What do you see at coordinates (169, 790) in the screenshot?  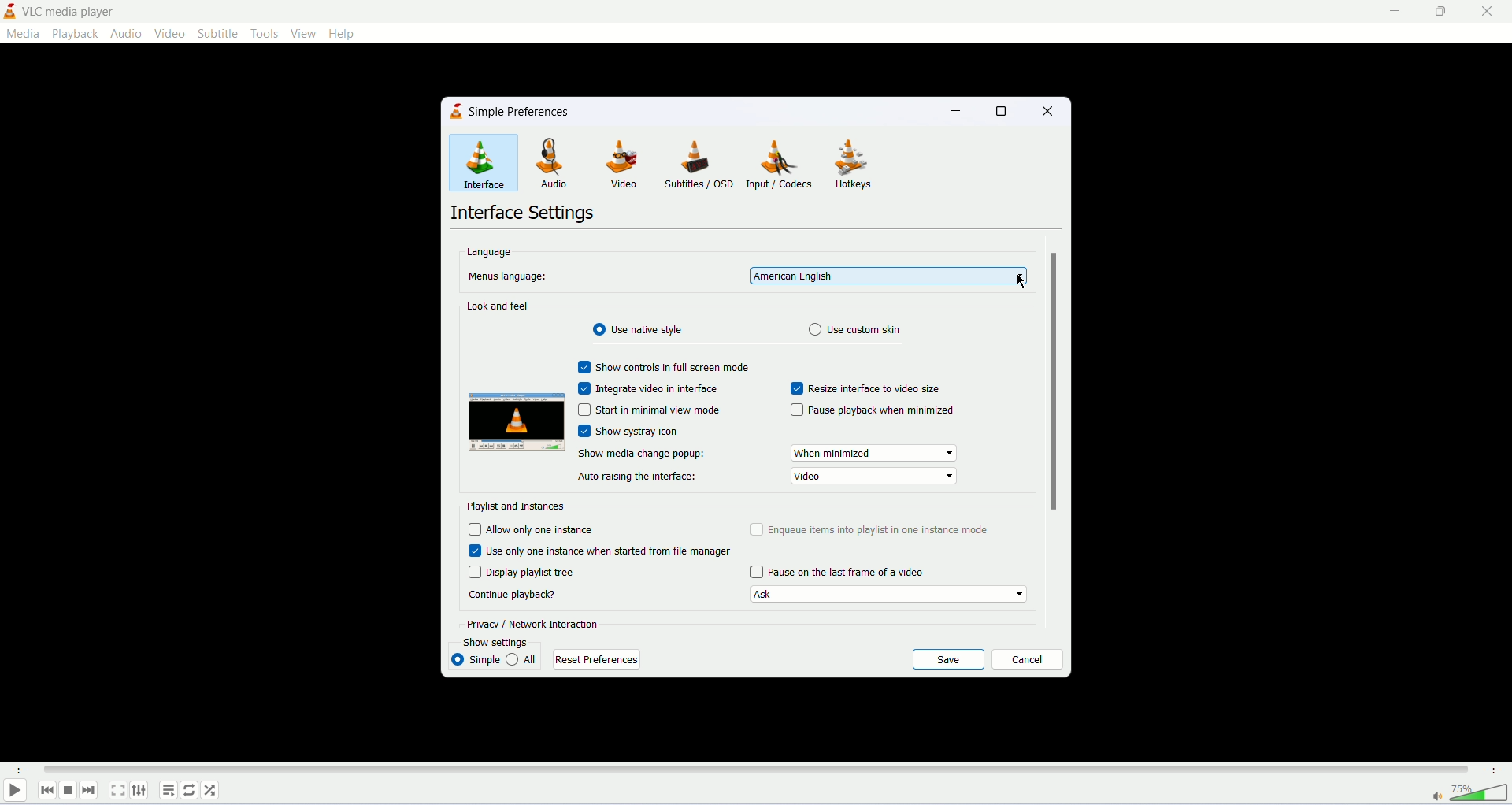 I see `playlist` at bounding box center [169, 790].